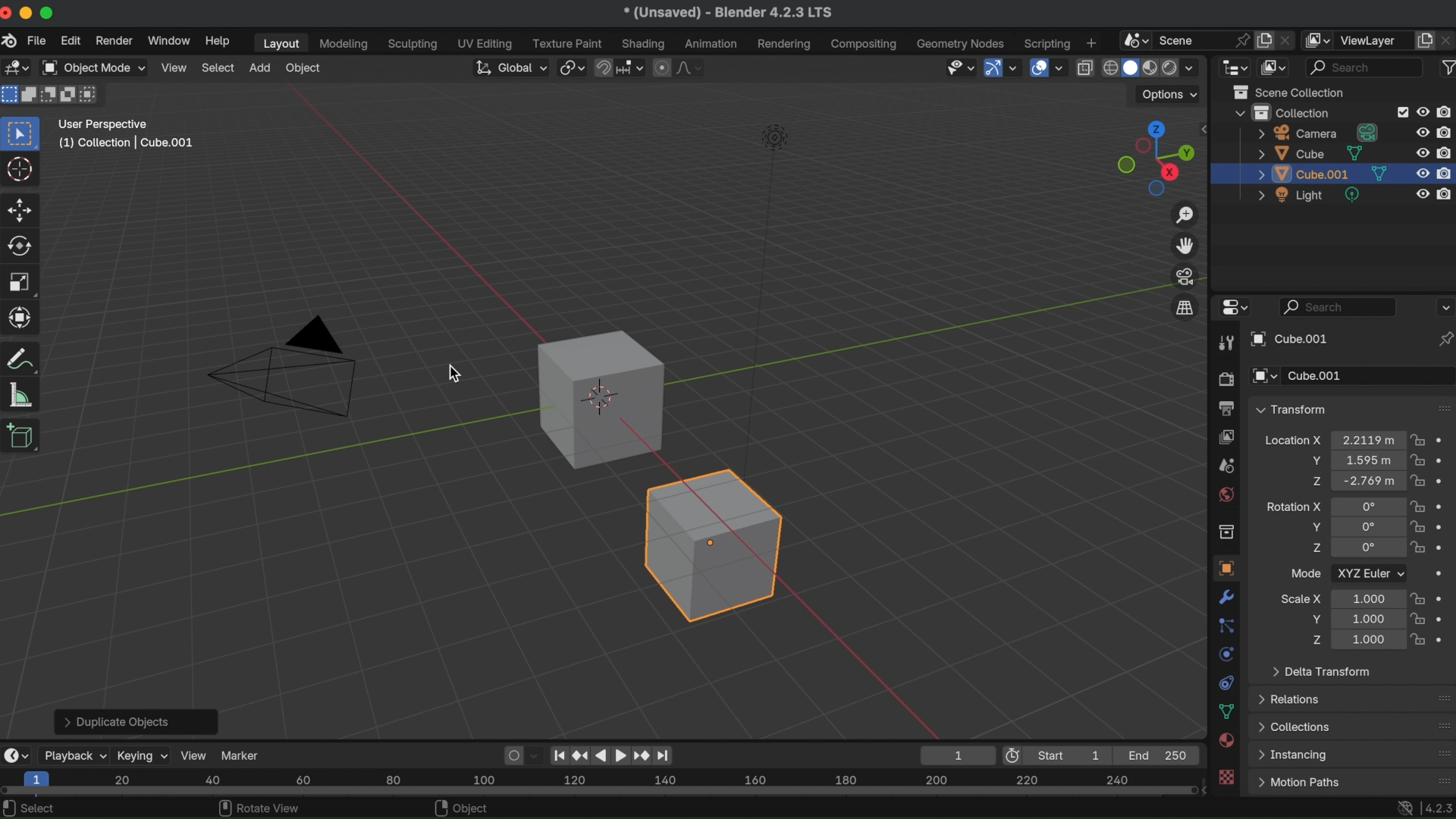  I want to click on animate property, so click(1444, 460).